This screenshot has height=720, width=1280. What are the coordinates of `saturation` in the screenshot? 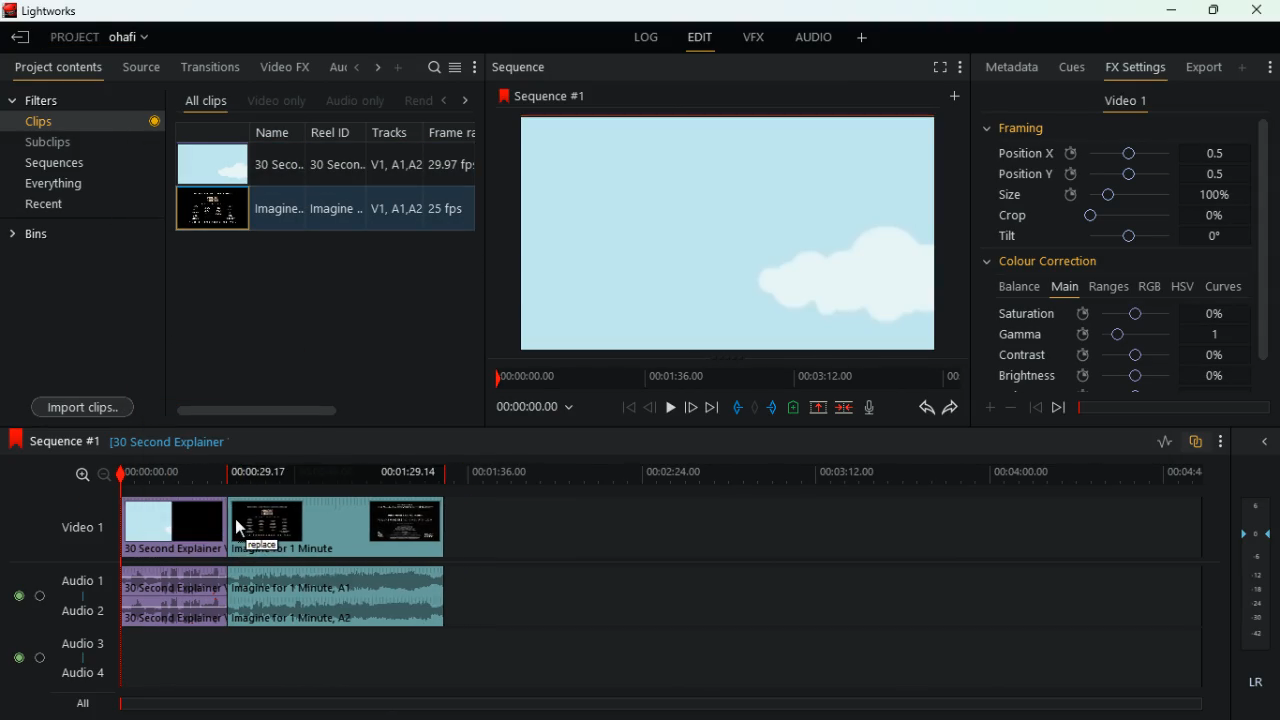 It's located at (1116, 313).